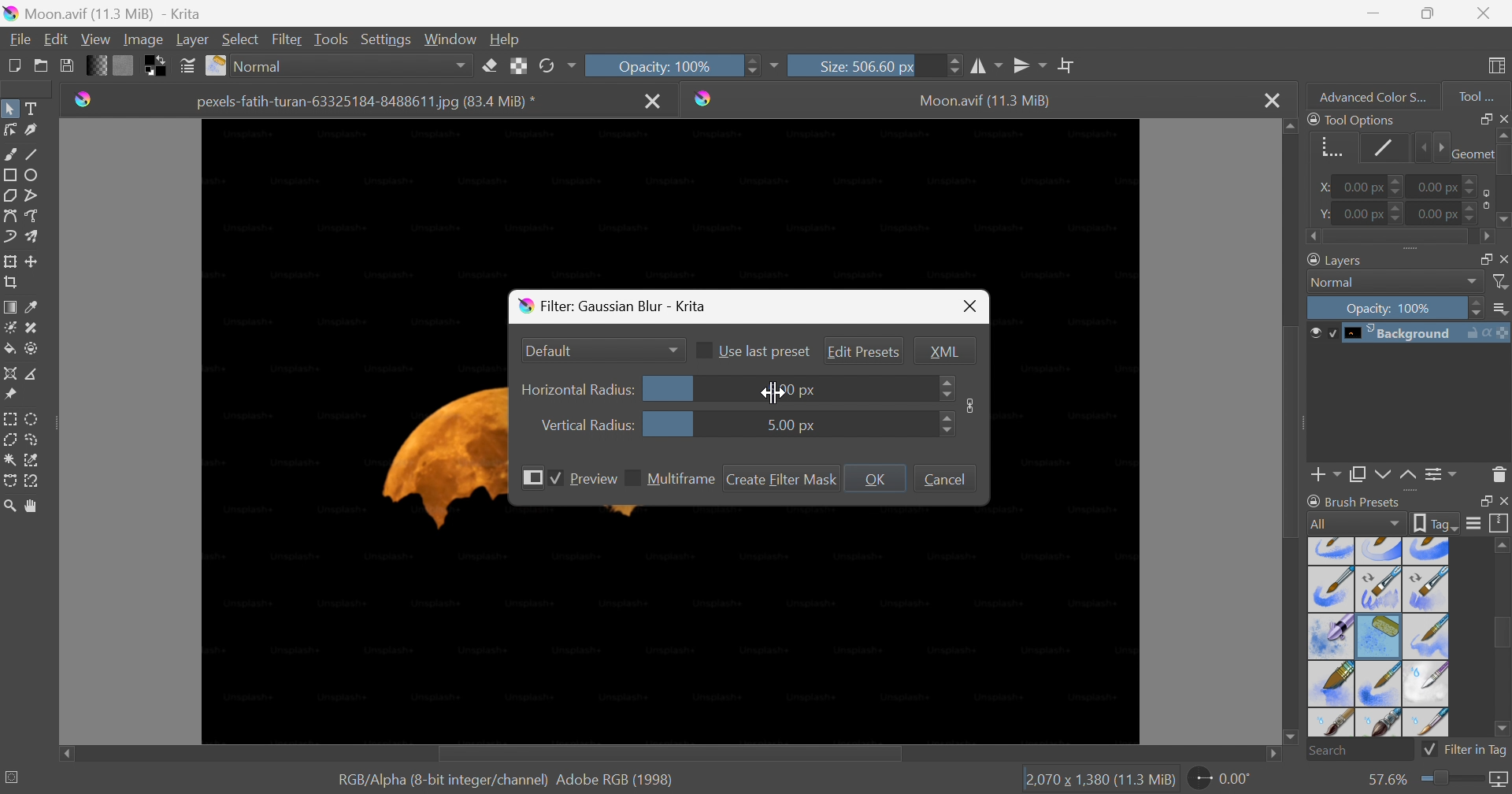 This screenshot has height=794, width=1512. I want to click on RGB/Alpha (8-bit integer/channel), so click(439, 781).